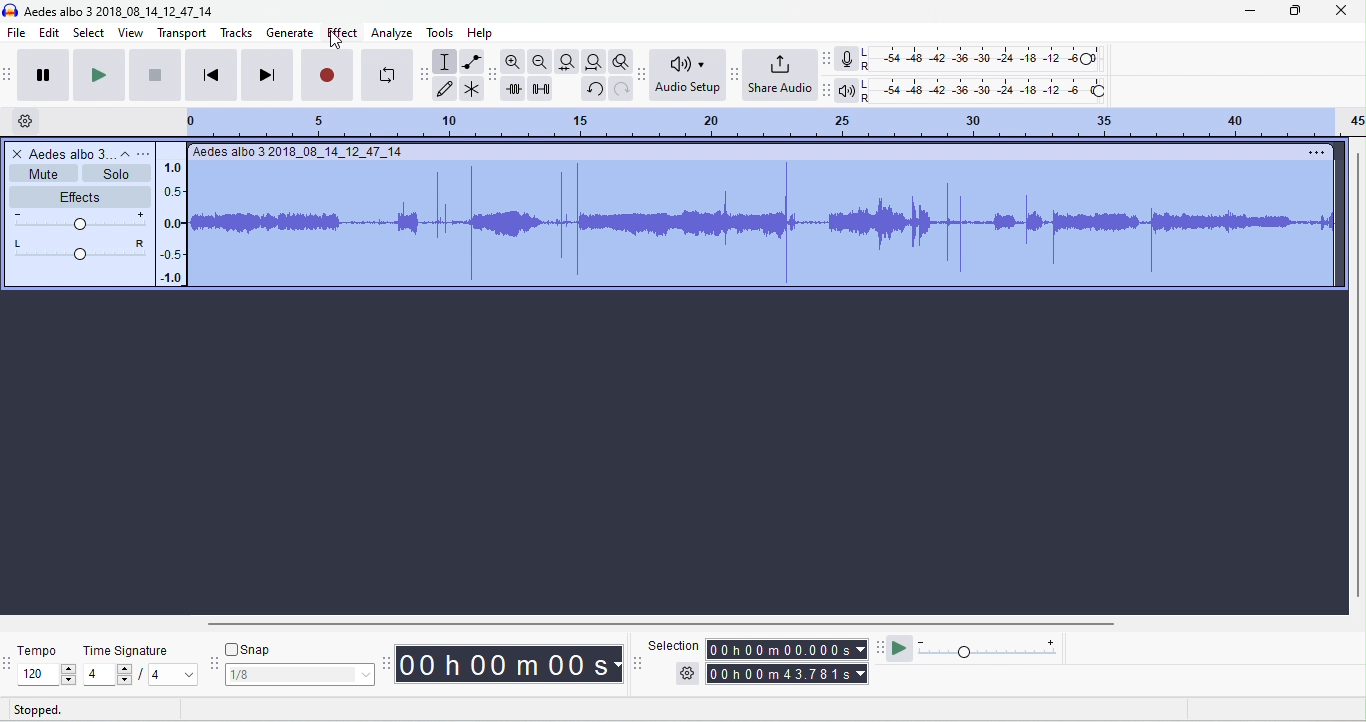  I want to click on L, so click(866, 52).